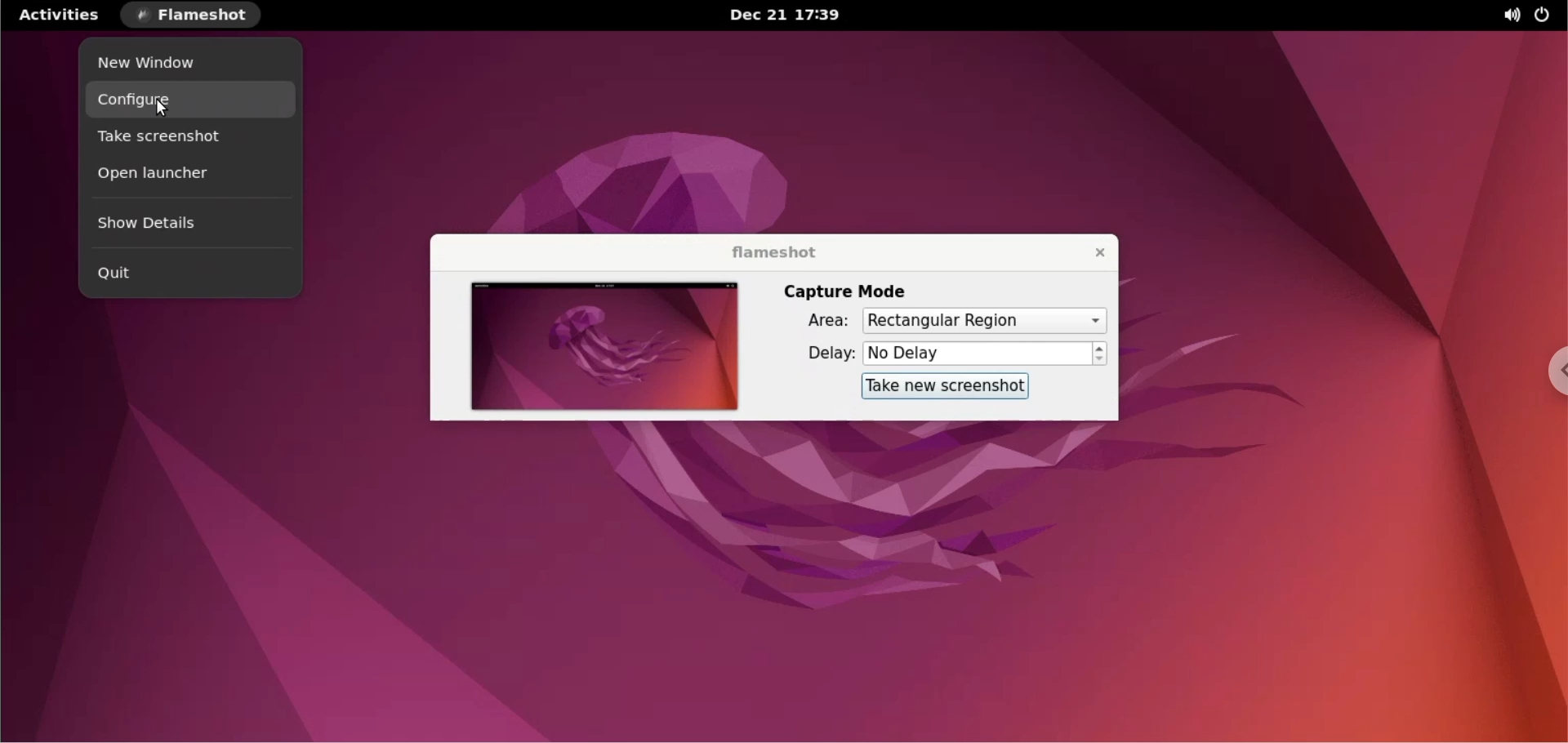 The height and width of the screenshot is (743, 1568). Describe the element at coordinates (816, 354) in the screenshot. I see `delay:` at that location.